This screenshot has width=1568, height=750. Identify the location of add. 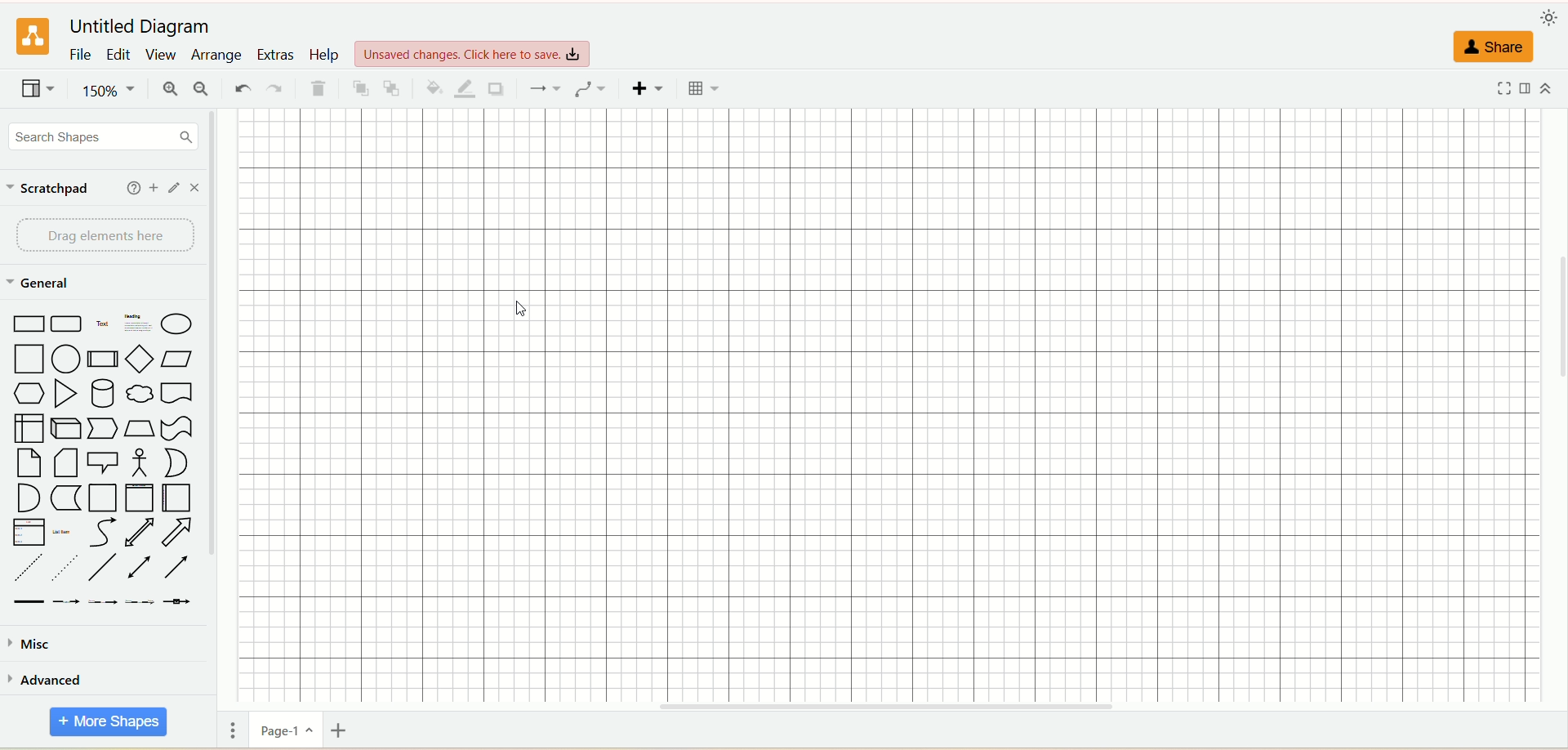
(153, 187).